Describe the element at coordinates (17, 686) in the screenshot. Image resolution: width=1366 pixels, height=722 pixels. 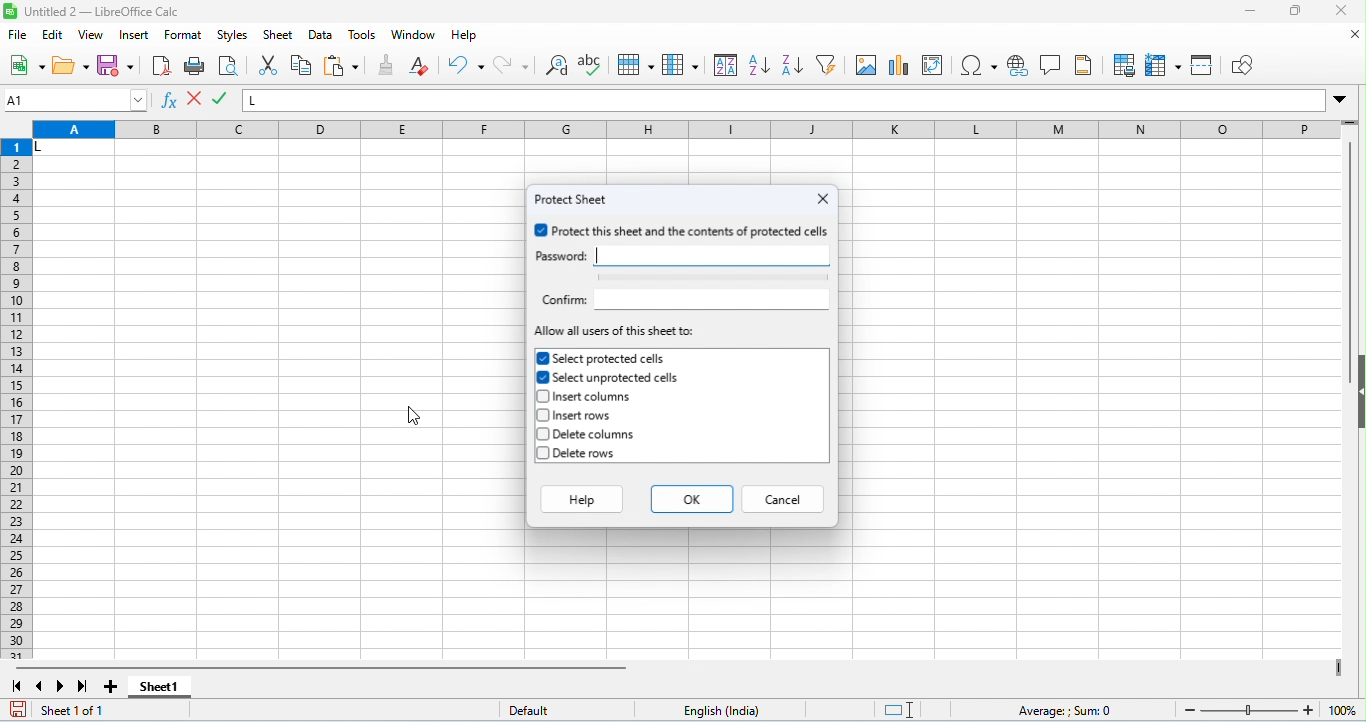
I see `first sheet` at that location.